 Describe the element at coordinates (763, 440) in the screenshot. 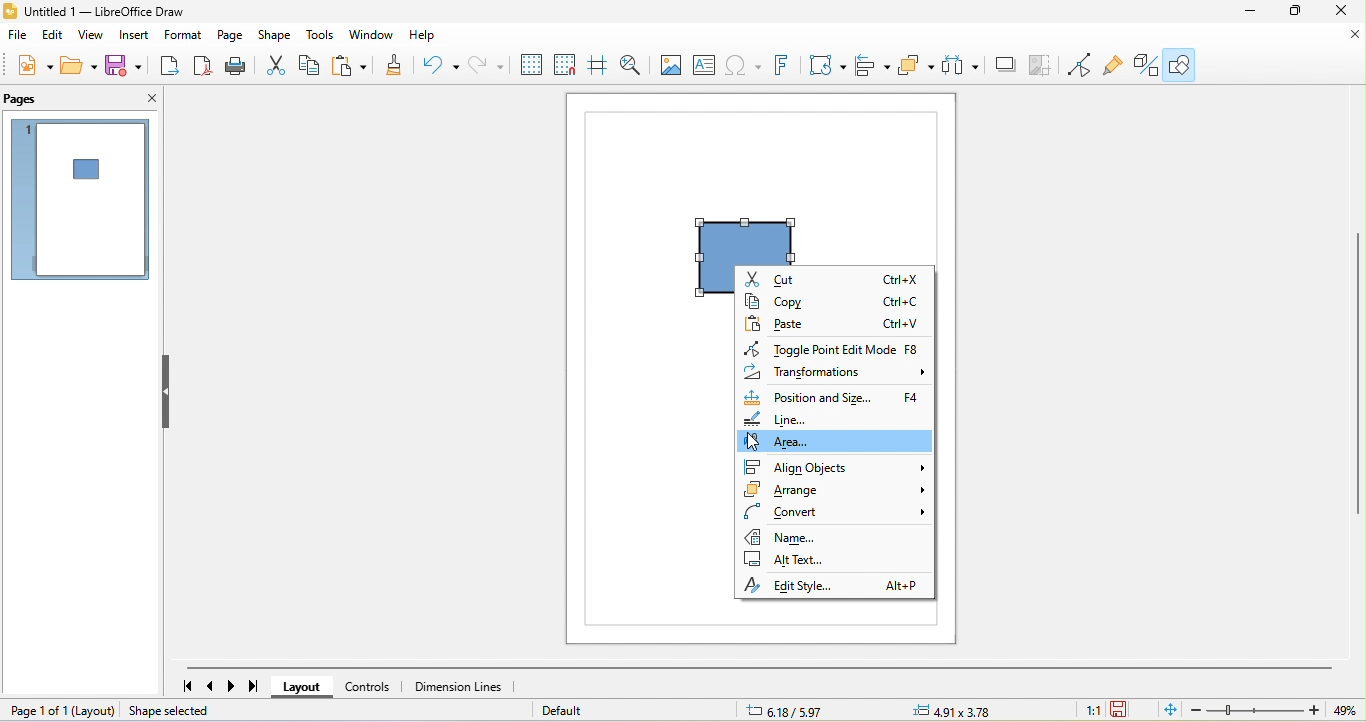

I see `cursor movement` at that location.